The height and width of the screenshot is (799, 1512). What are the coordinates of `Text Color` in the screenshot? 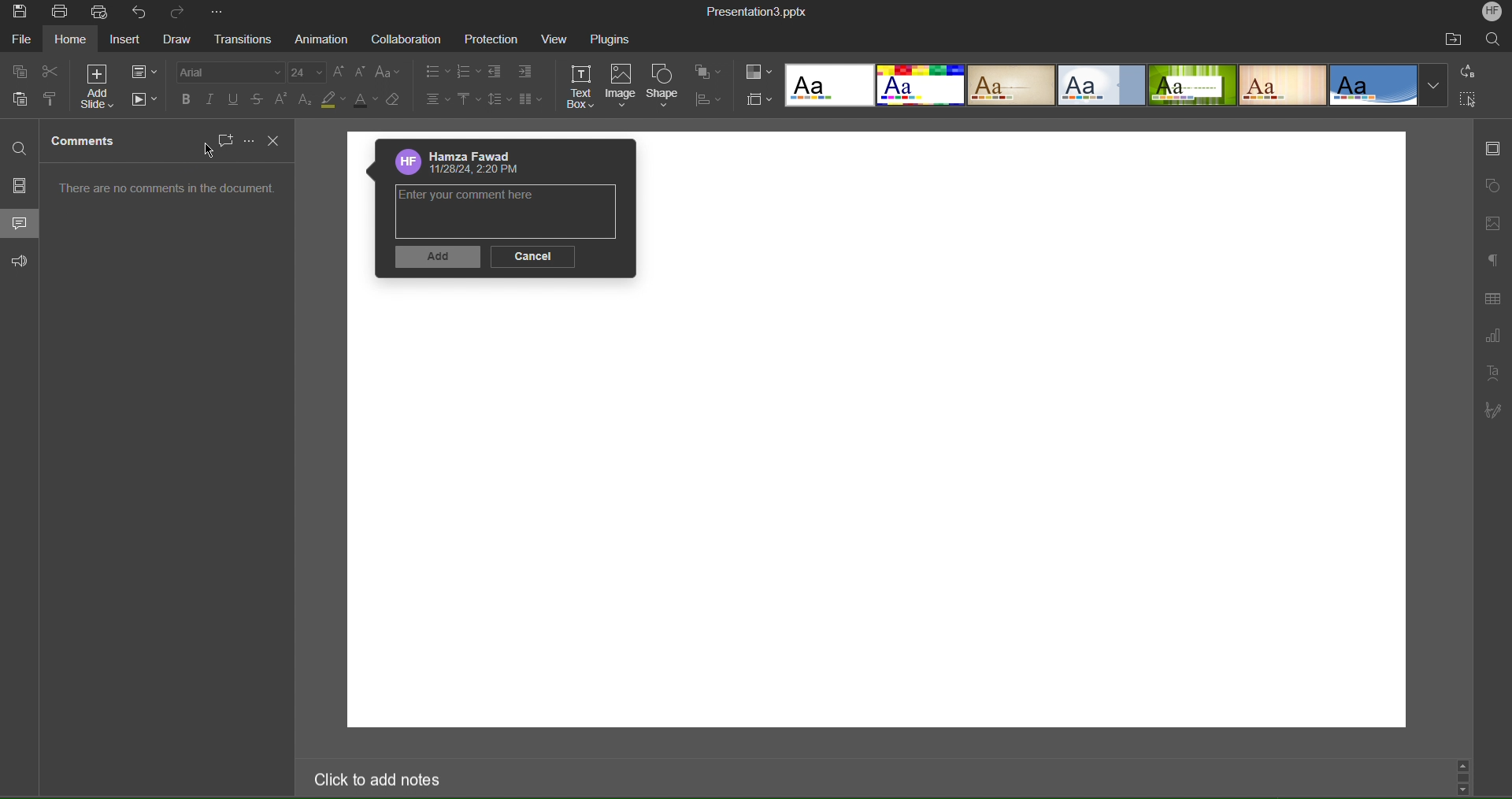 It's located at (364, 101).